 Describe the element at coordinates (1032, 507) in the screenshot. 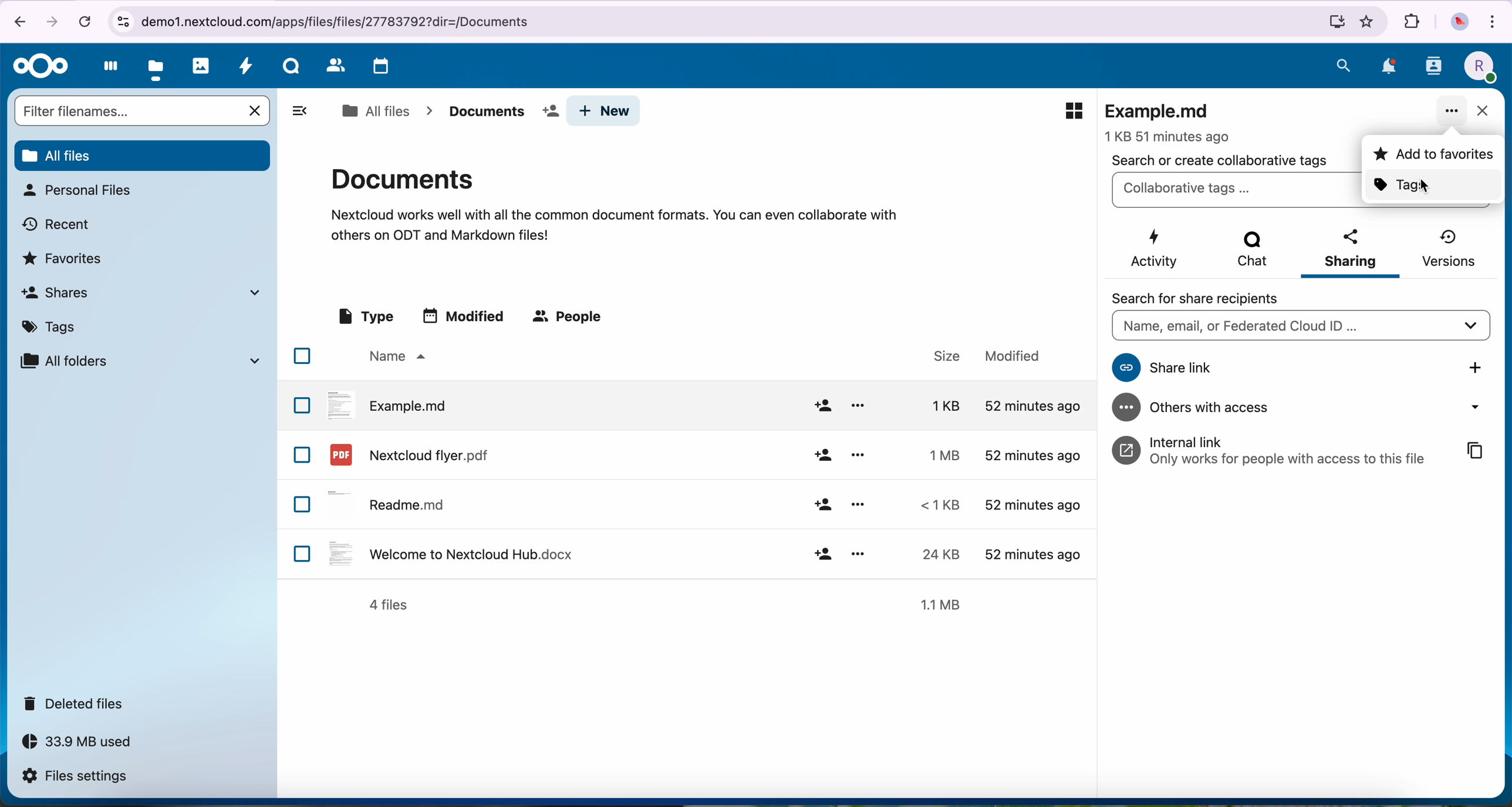

I see `modified` at that location.